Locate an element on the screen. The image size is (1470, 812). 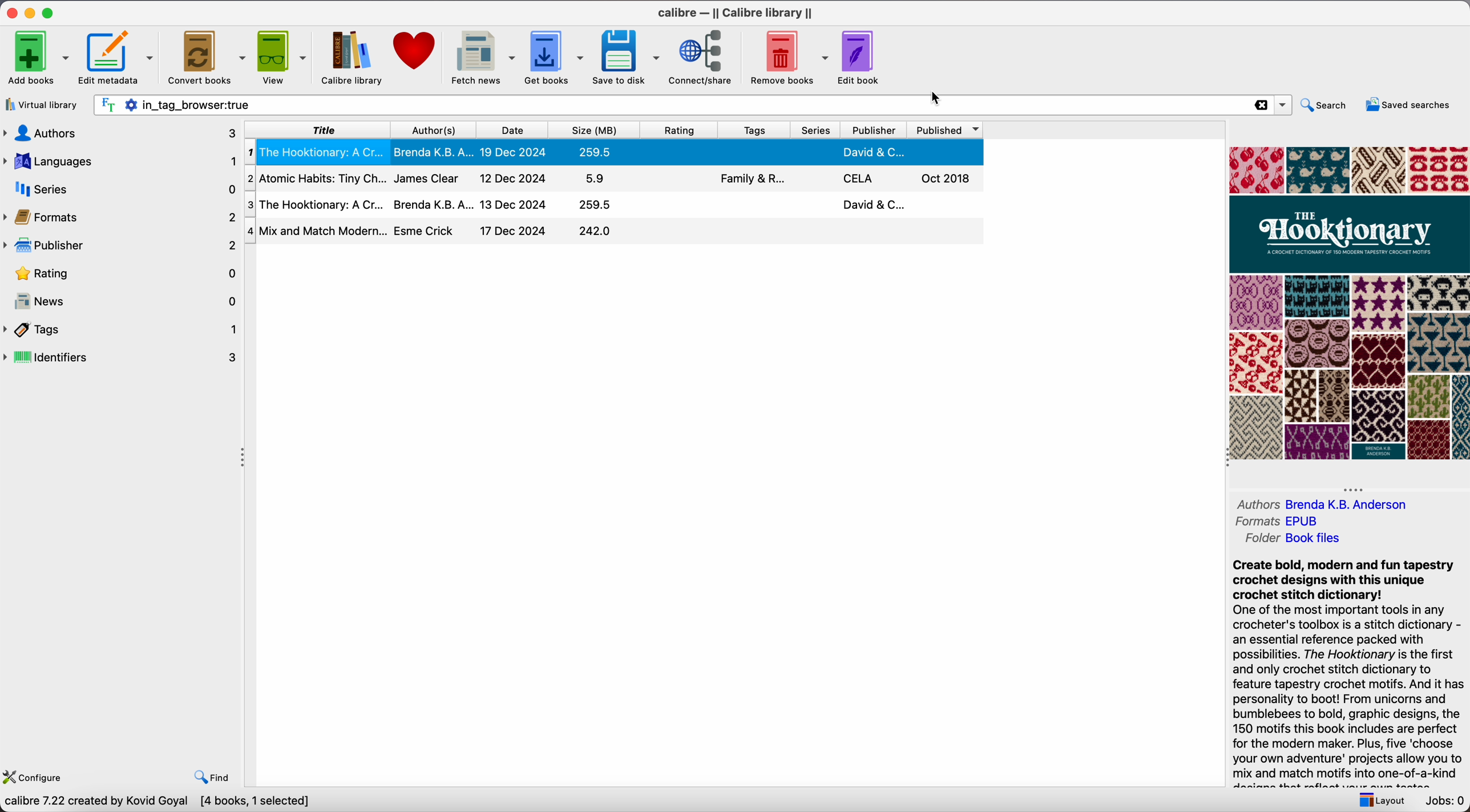
book cover preview is located at coordinates (1348, 303).